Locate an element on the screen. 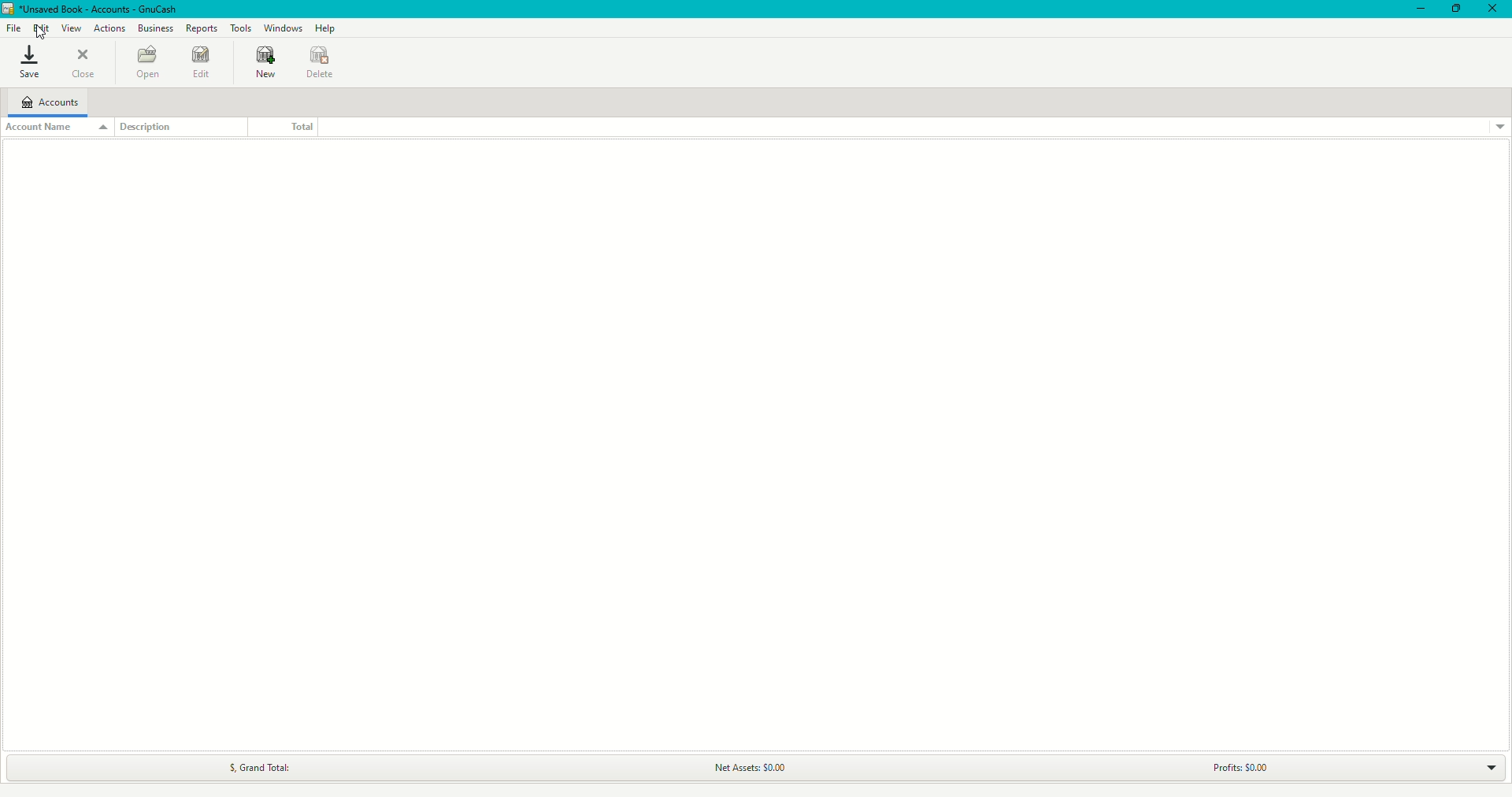 The width and height of the screenshot is (1512, 797). Restore is located at coordinates (1455, 9).